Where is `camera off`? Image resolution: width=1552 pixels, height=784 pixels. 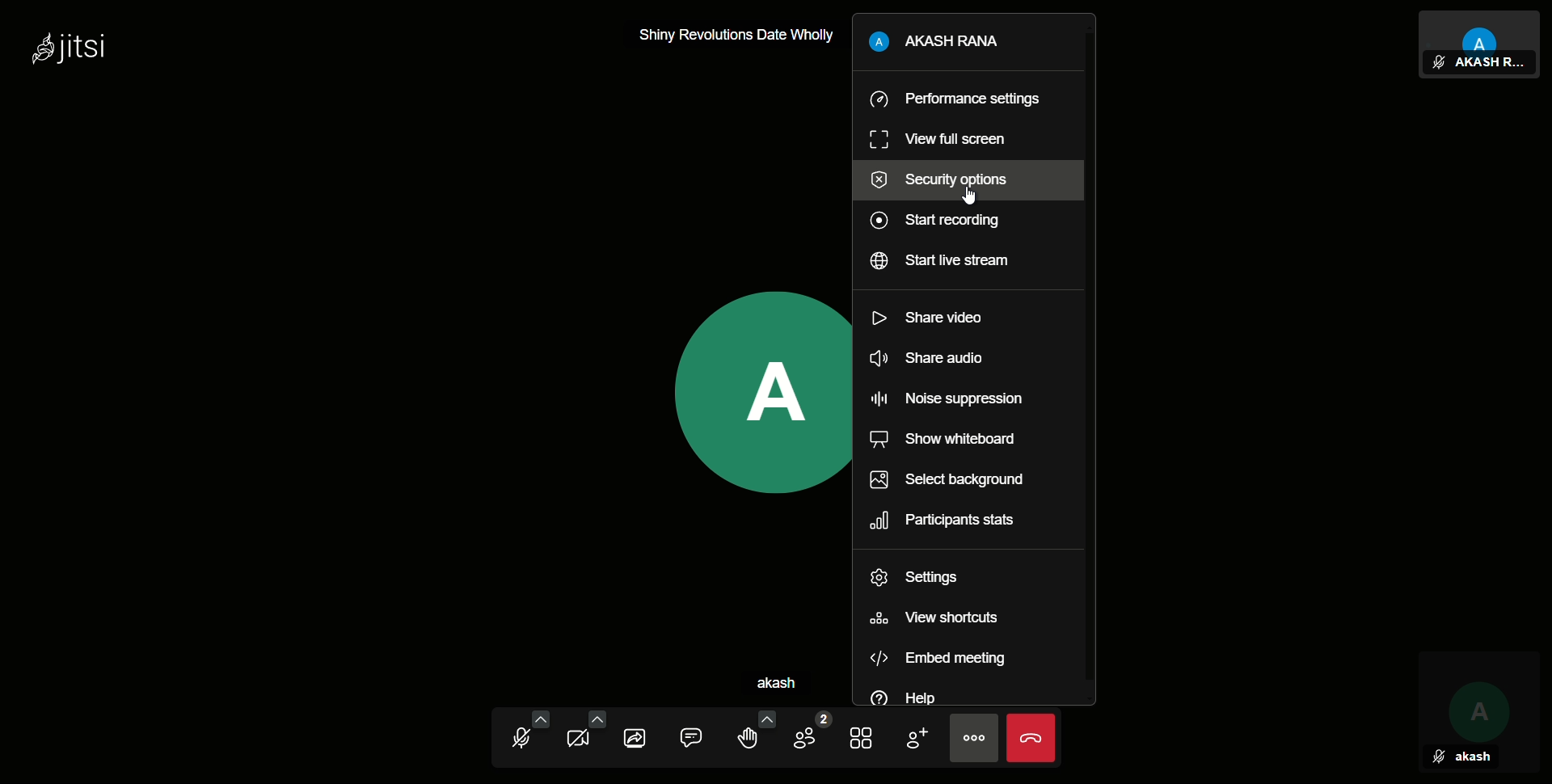 camera off is located at coordinates (581, 736).